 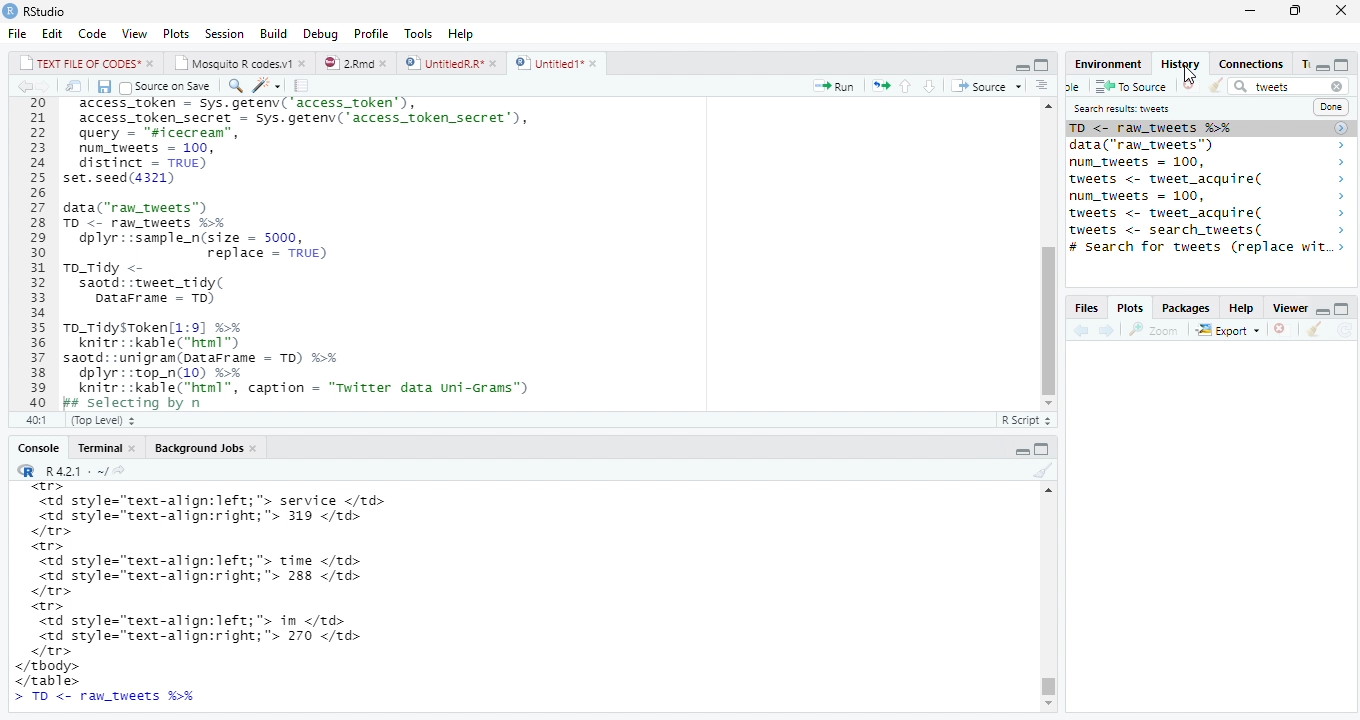 What do you see at coordinates (102, 86) in the screenshot?
I see `Save document` at bounding box center [102, 86].